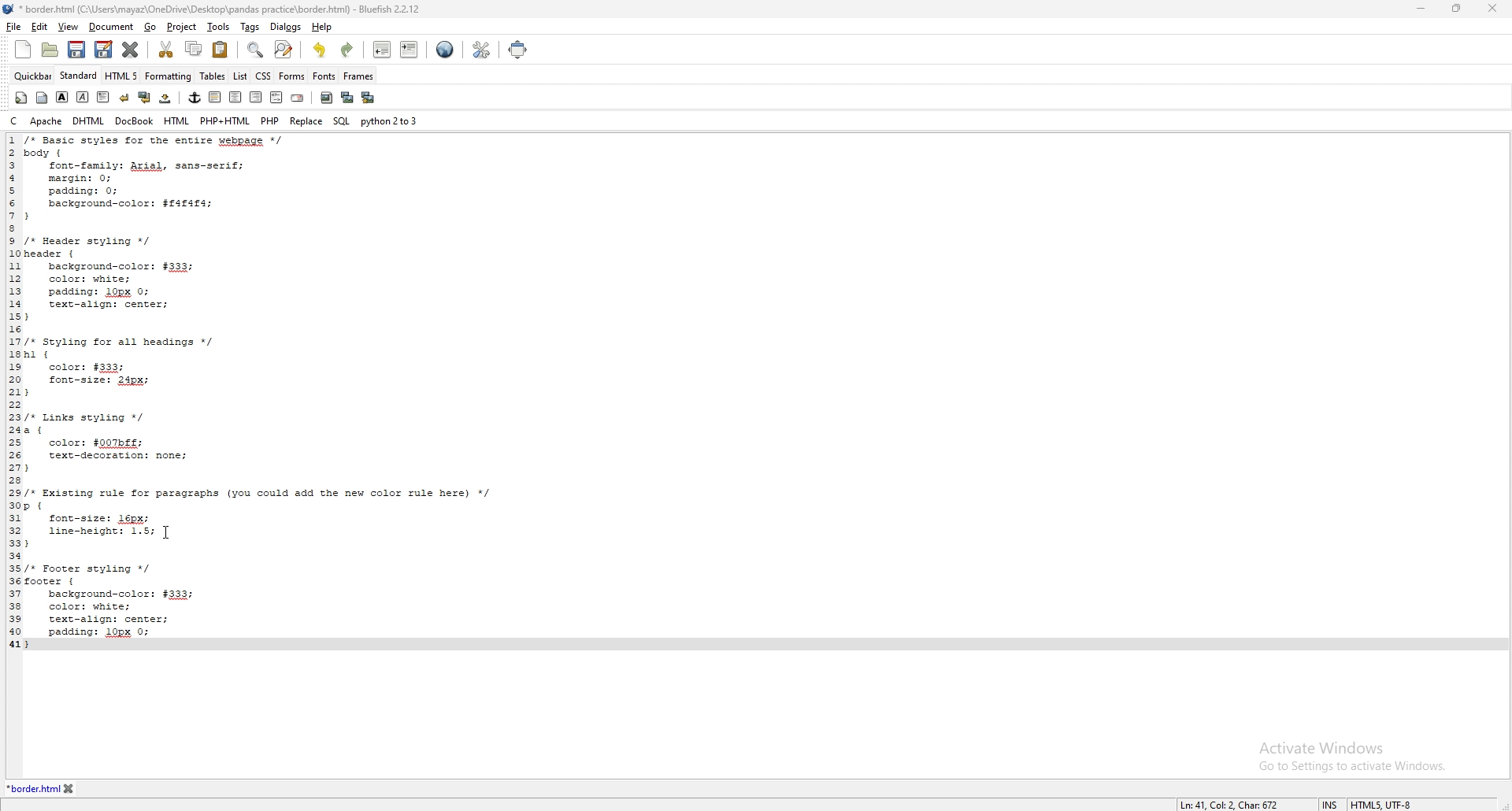  What do you see at coordinates (1384, 802) in the screenshot?
I see `HTML5, UTF-8` at bounding box center [1384, 802].